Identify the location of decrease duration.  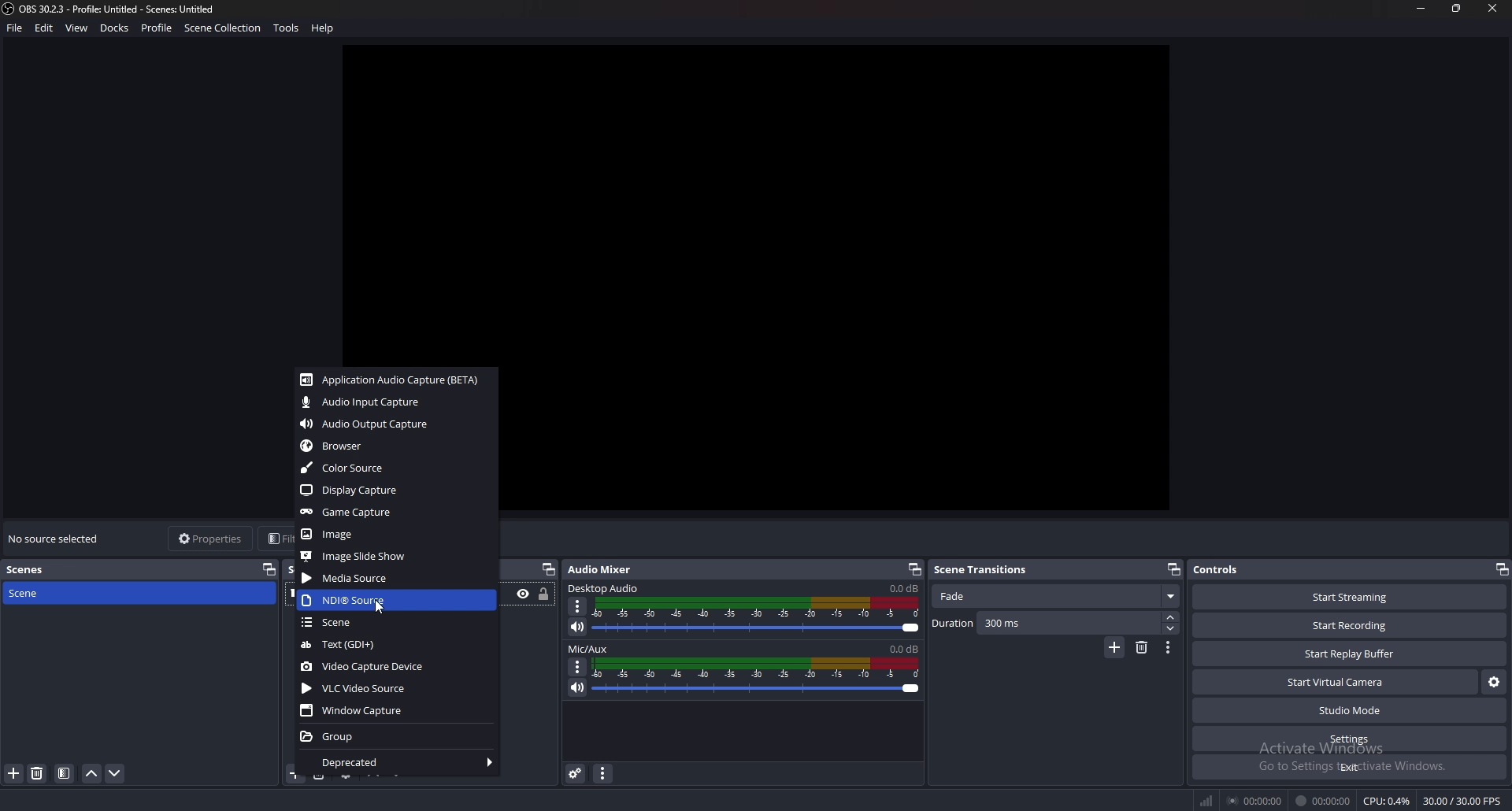
(1171, 628).